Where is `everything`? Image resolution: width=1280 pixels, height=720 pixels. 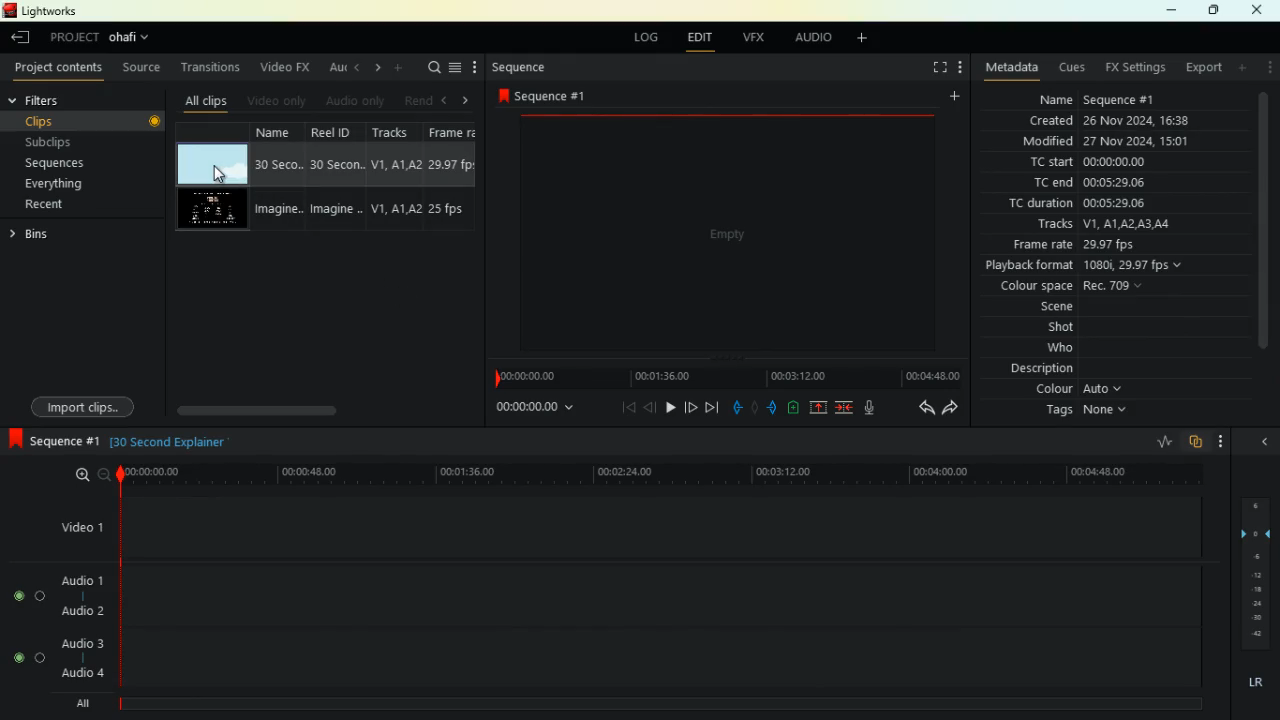
everything is located at coordinates (54, 184).